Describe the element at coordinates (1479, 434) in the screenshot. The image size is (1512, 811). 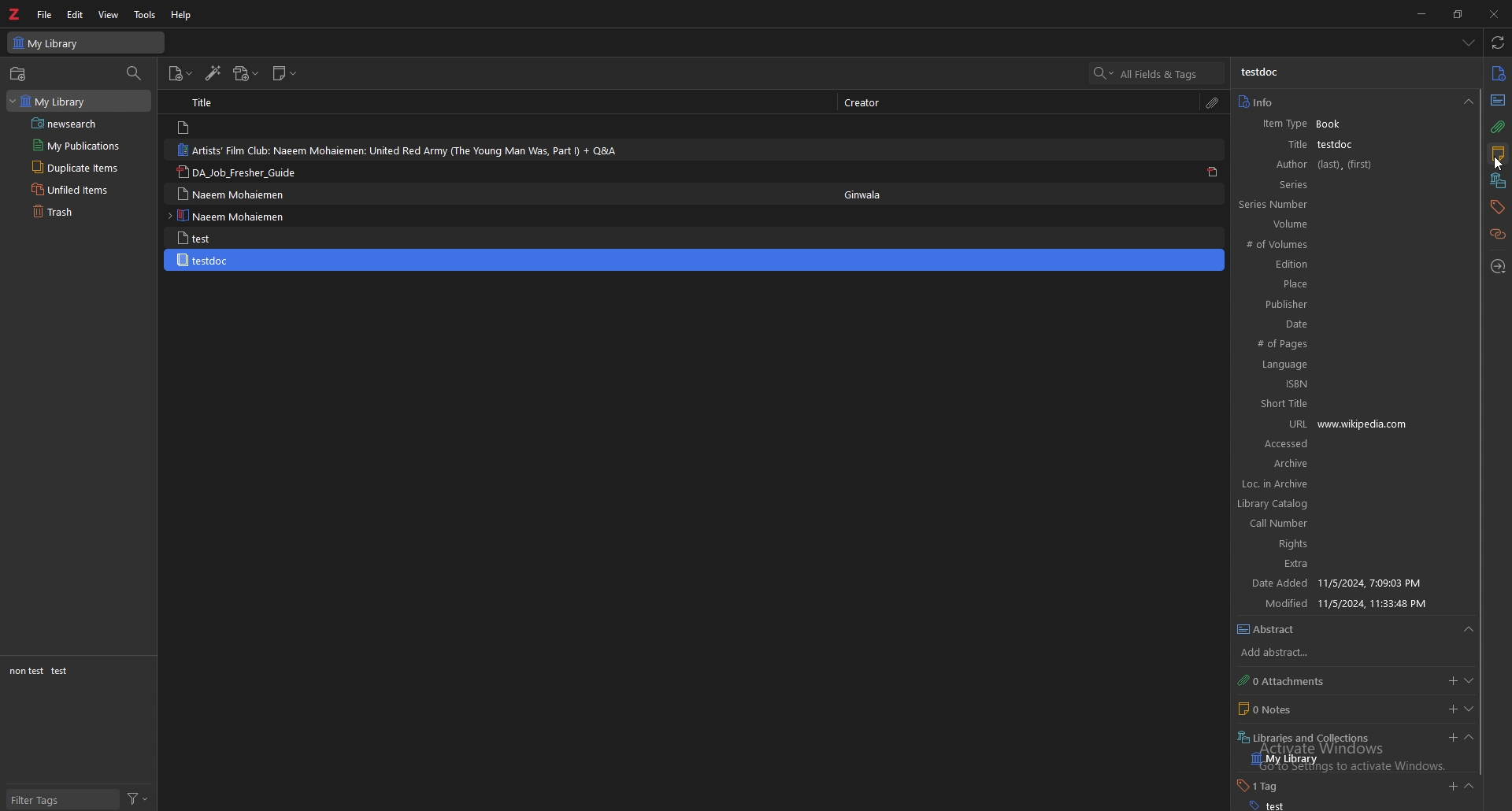
I see `scroll bar` at that location.